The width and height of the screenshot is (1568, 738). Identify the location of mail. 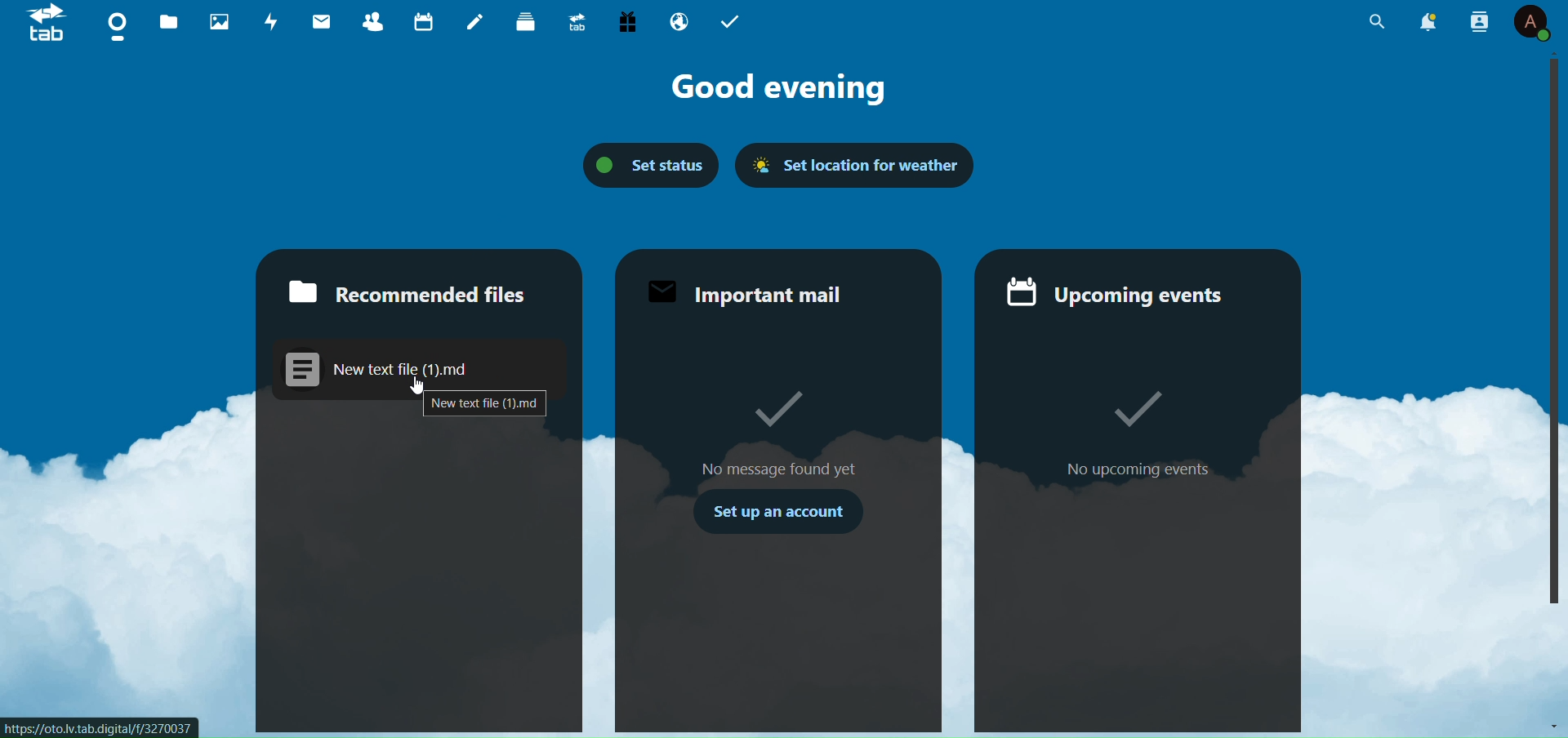
(321, 20).